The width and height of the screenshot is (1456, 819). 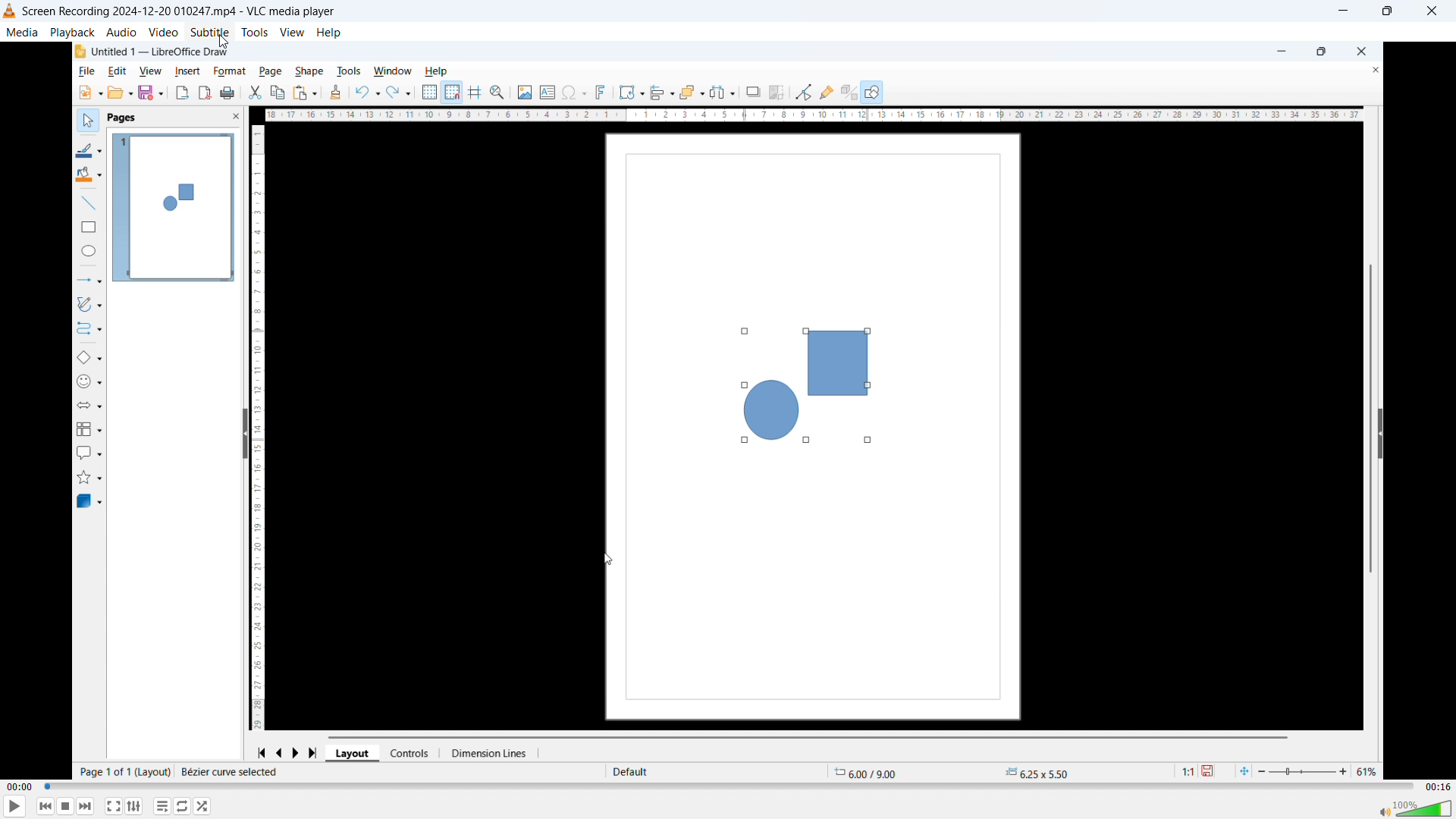 I want to click on print, so click(x=229, y=93).